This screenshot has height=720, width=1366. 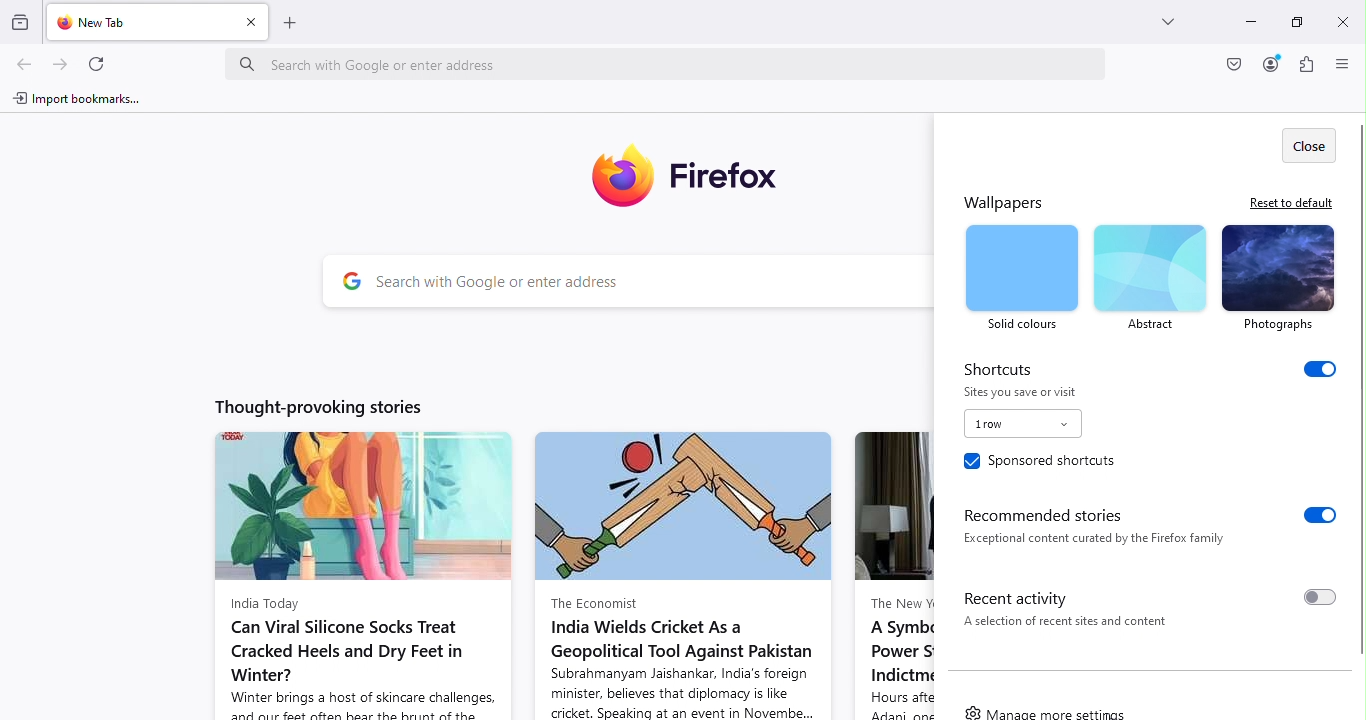 What do you see at coordinates (1231, 65) in the screenshot?
I see `Account` at bounding box center [1231, 65].